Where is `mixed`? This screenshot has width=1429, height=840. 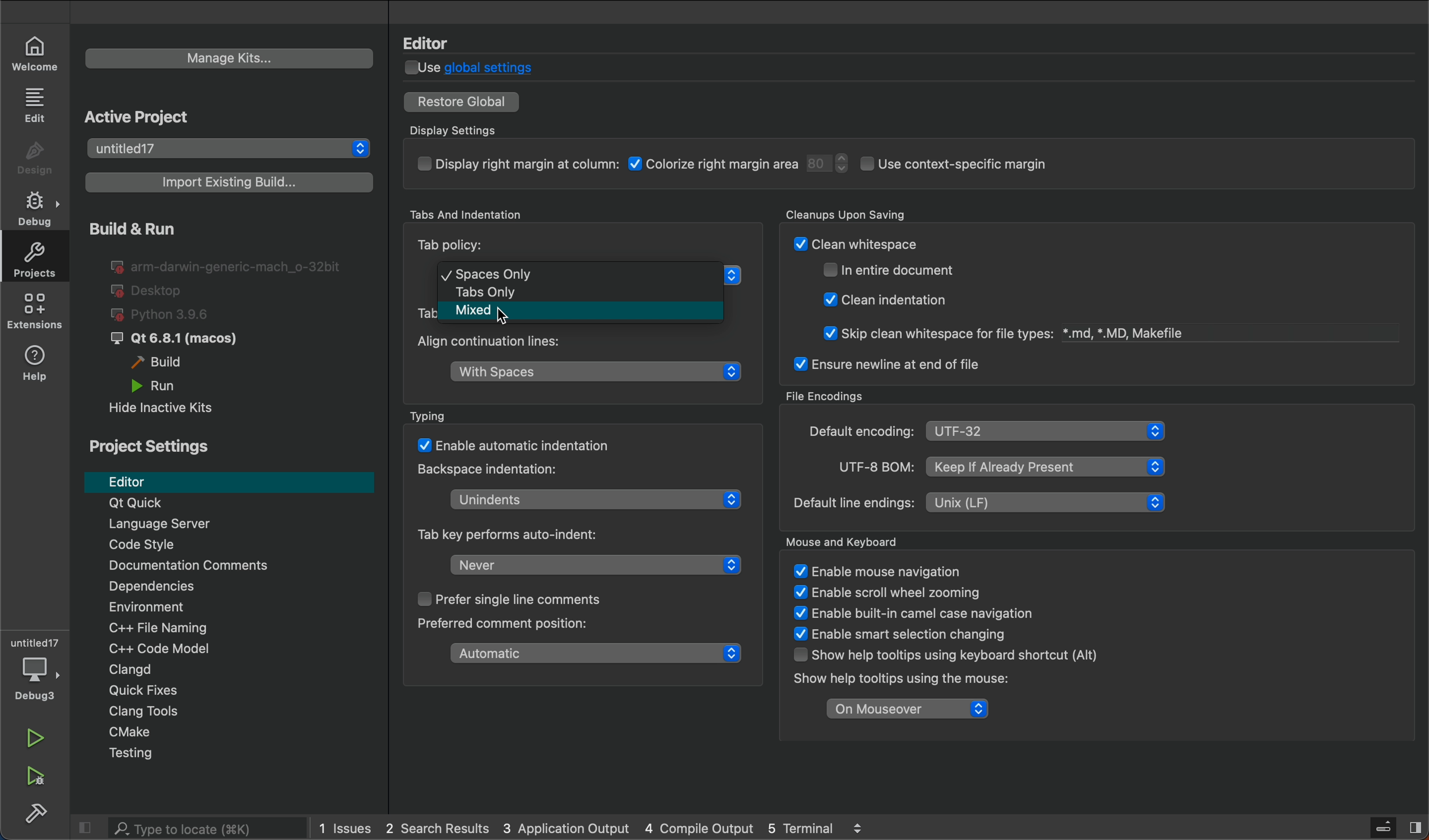 mixed is located at coordinates (465, 313).